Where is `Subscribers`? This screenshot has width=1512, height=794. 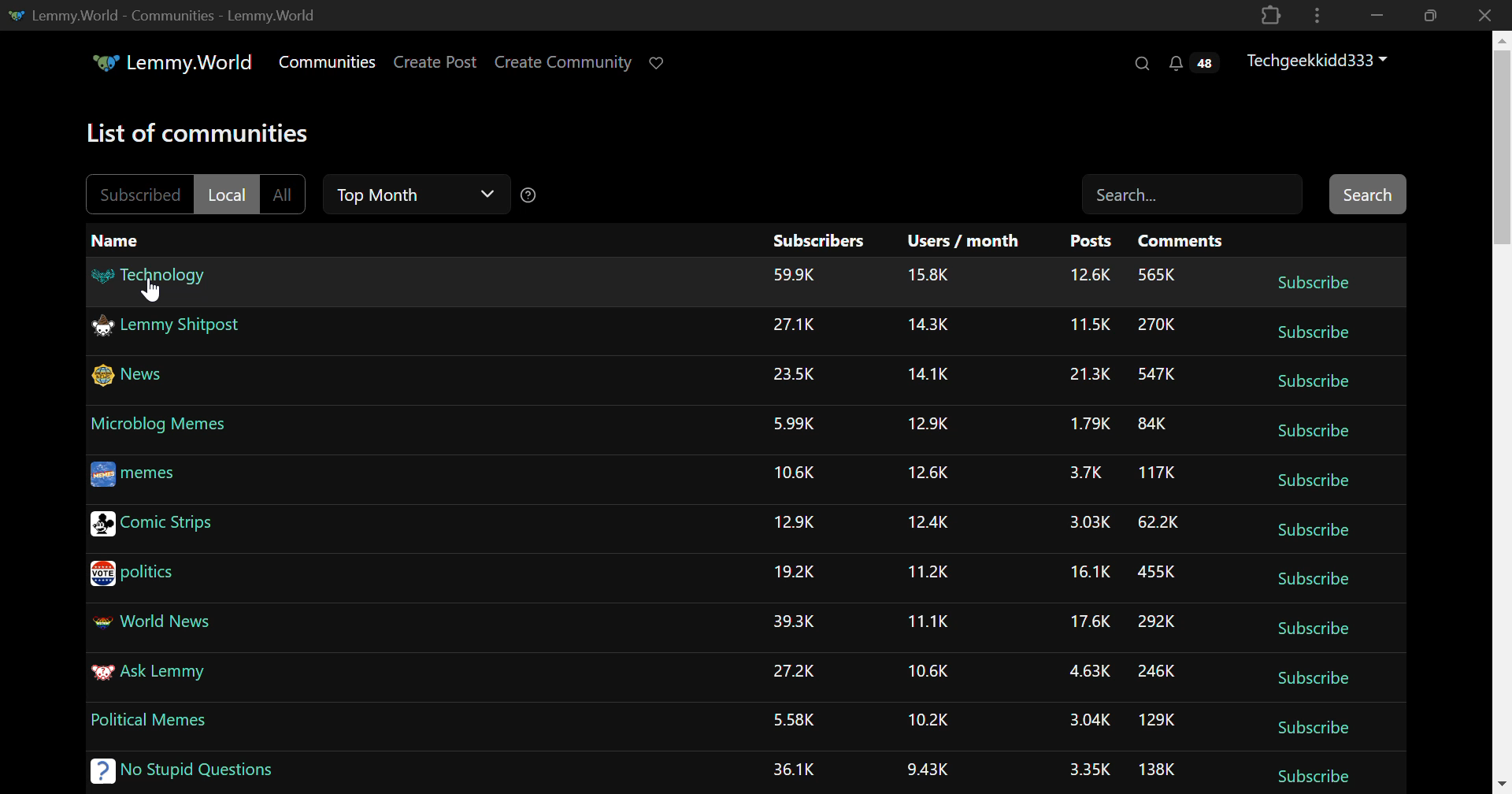 Subscribers is located at coordinates (814, 241).